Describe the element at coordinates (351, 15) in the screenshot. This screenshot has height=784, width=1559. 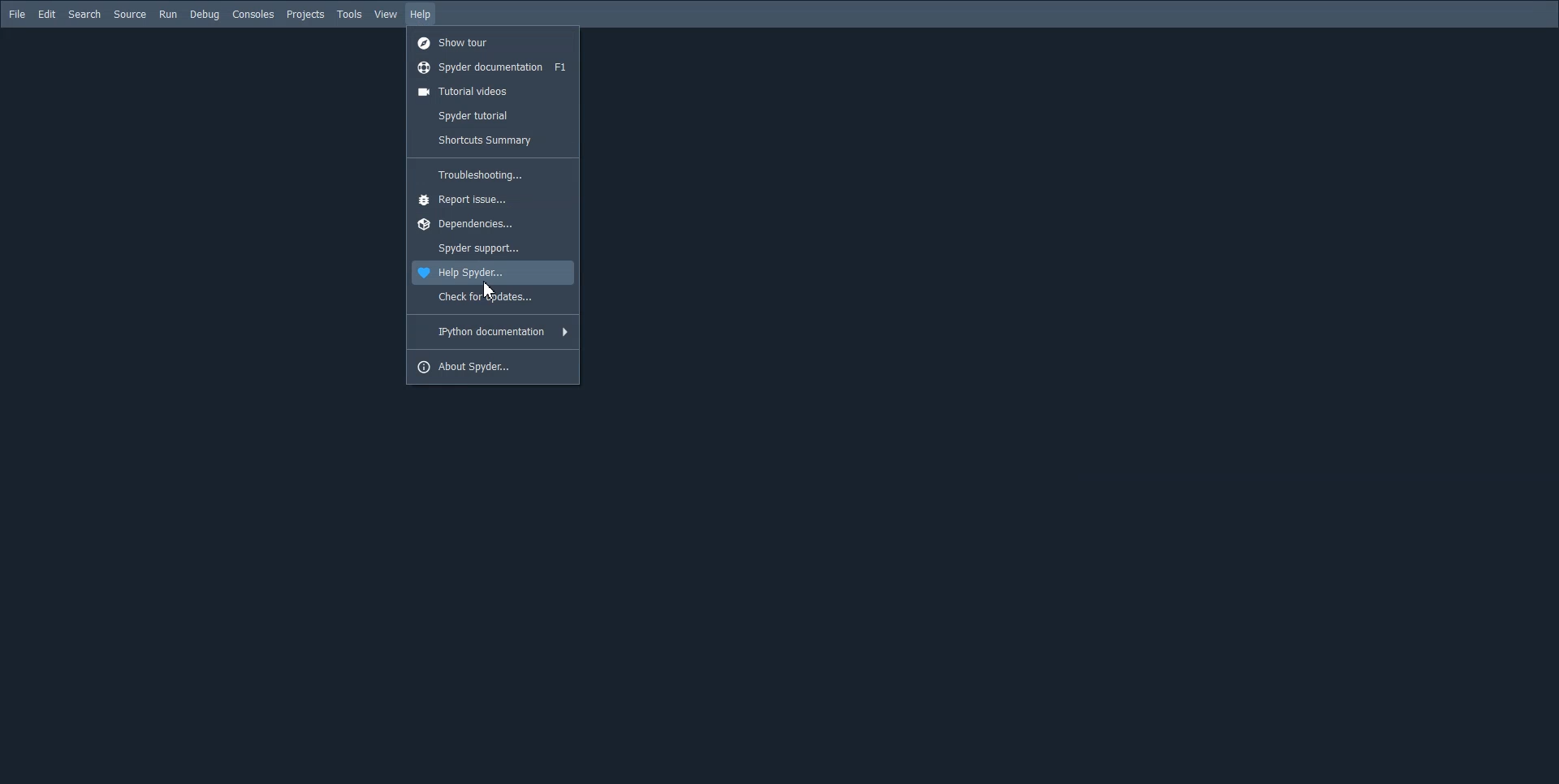
I see `Tools` at that location.